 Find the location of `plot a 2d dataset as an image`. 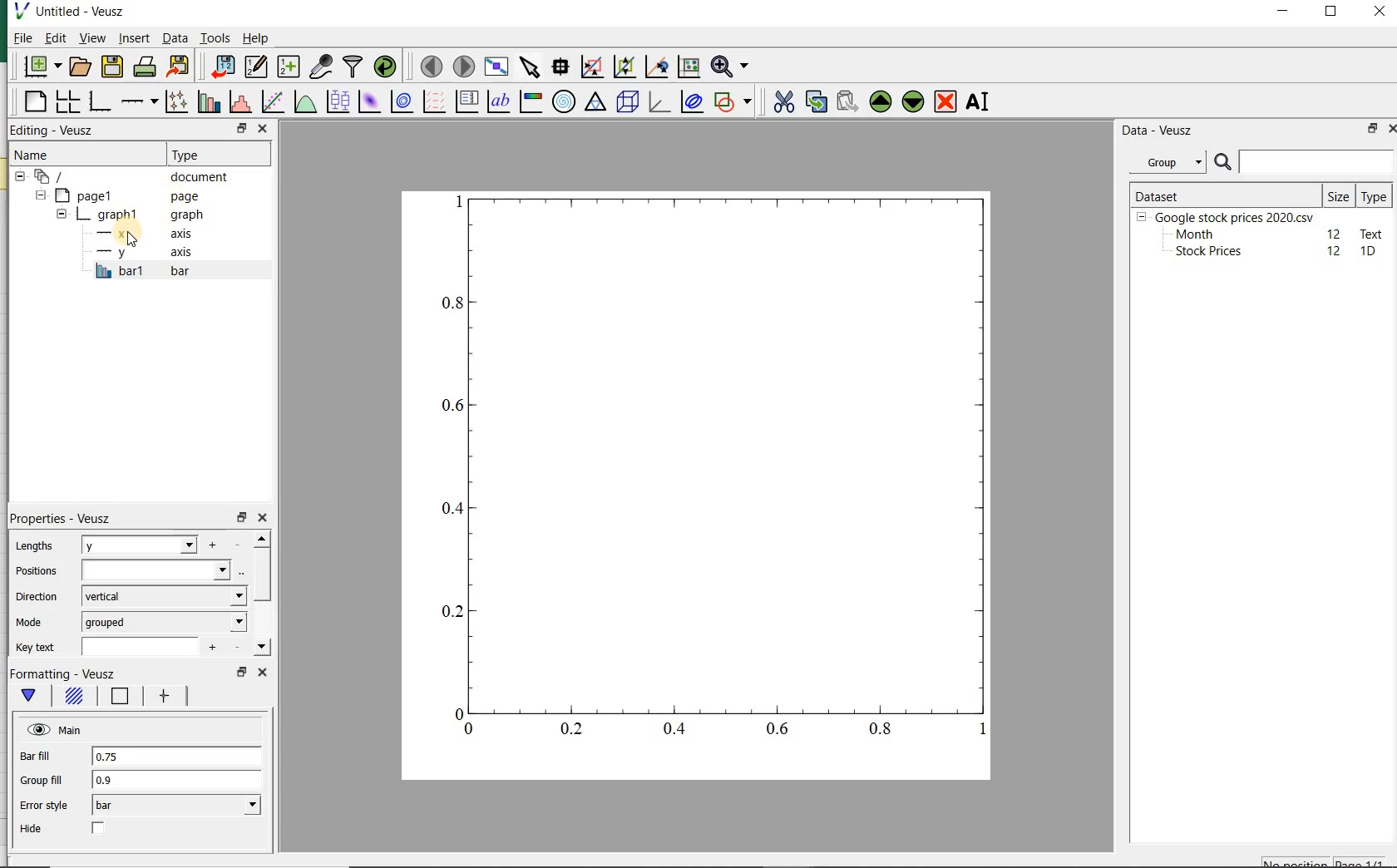

plot a 2d dataset as an image is located at coordinates (368, 101).